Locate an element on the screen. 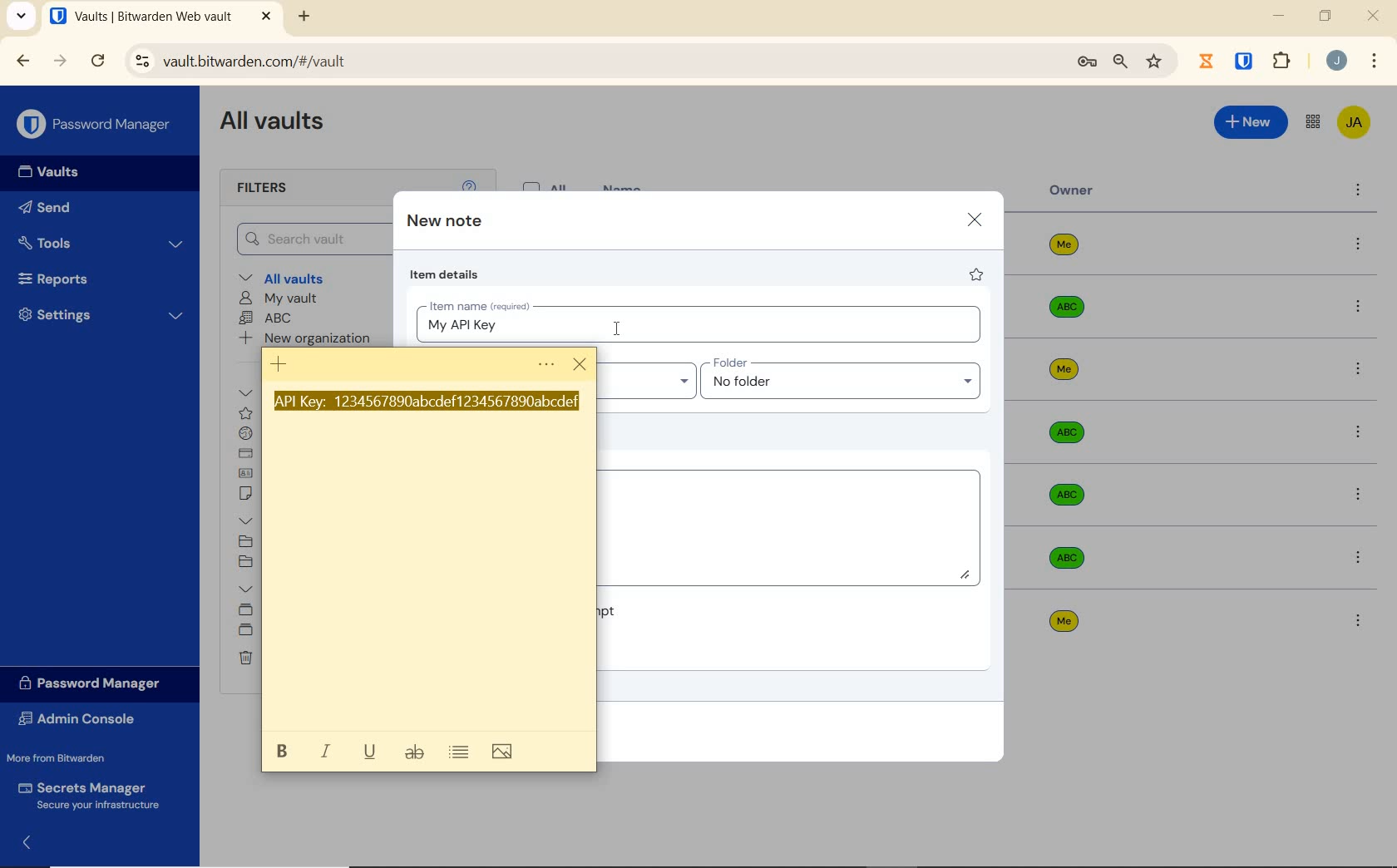 The image size is (1397, 868). card is located at coordinates (246, 455).